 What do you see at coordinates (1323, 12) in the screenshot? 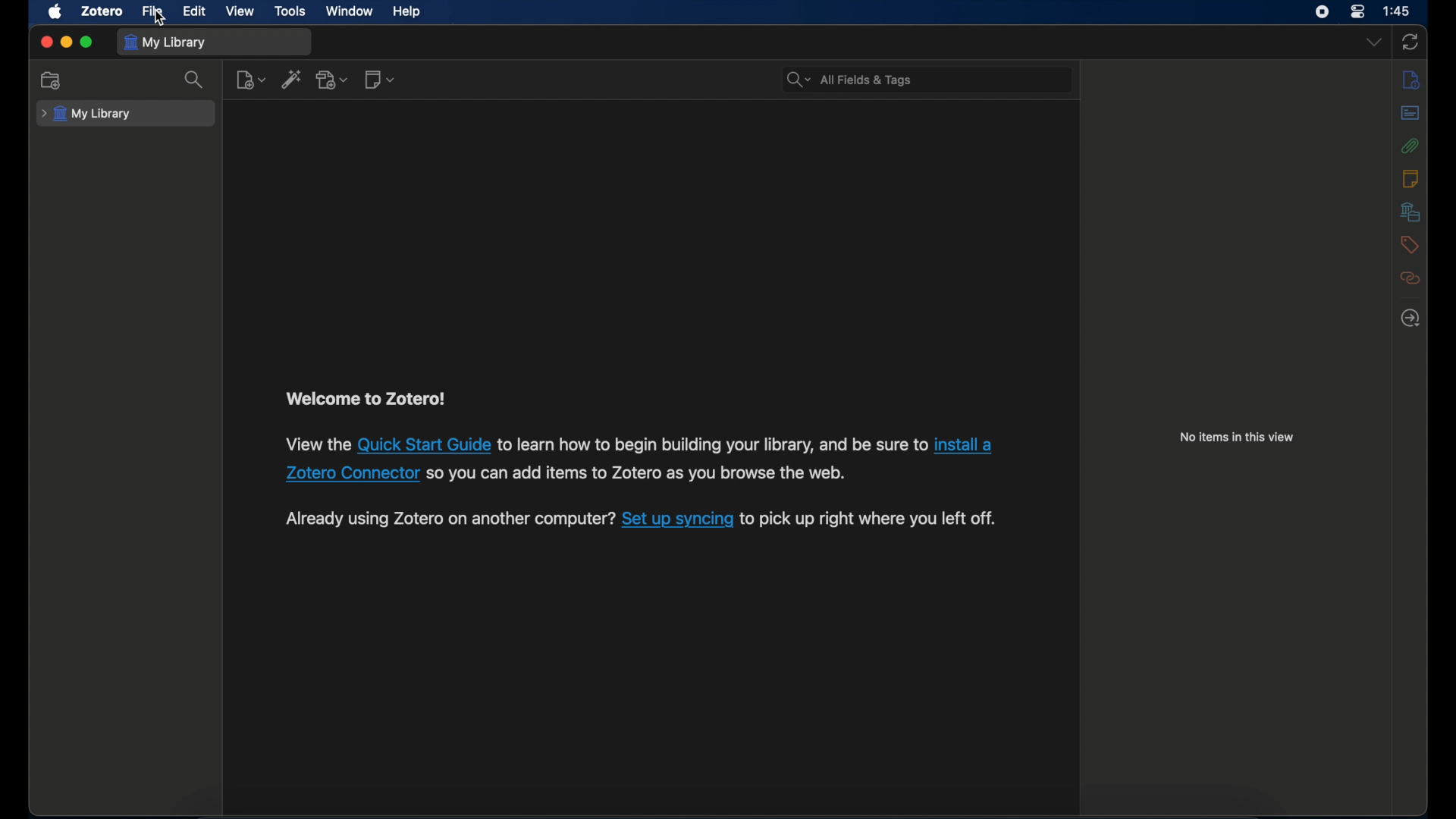
I see `screen recorder` at bounding box center [1323, 12].